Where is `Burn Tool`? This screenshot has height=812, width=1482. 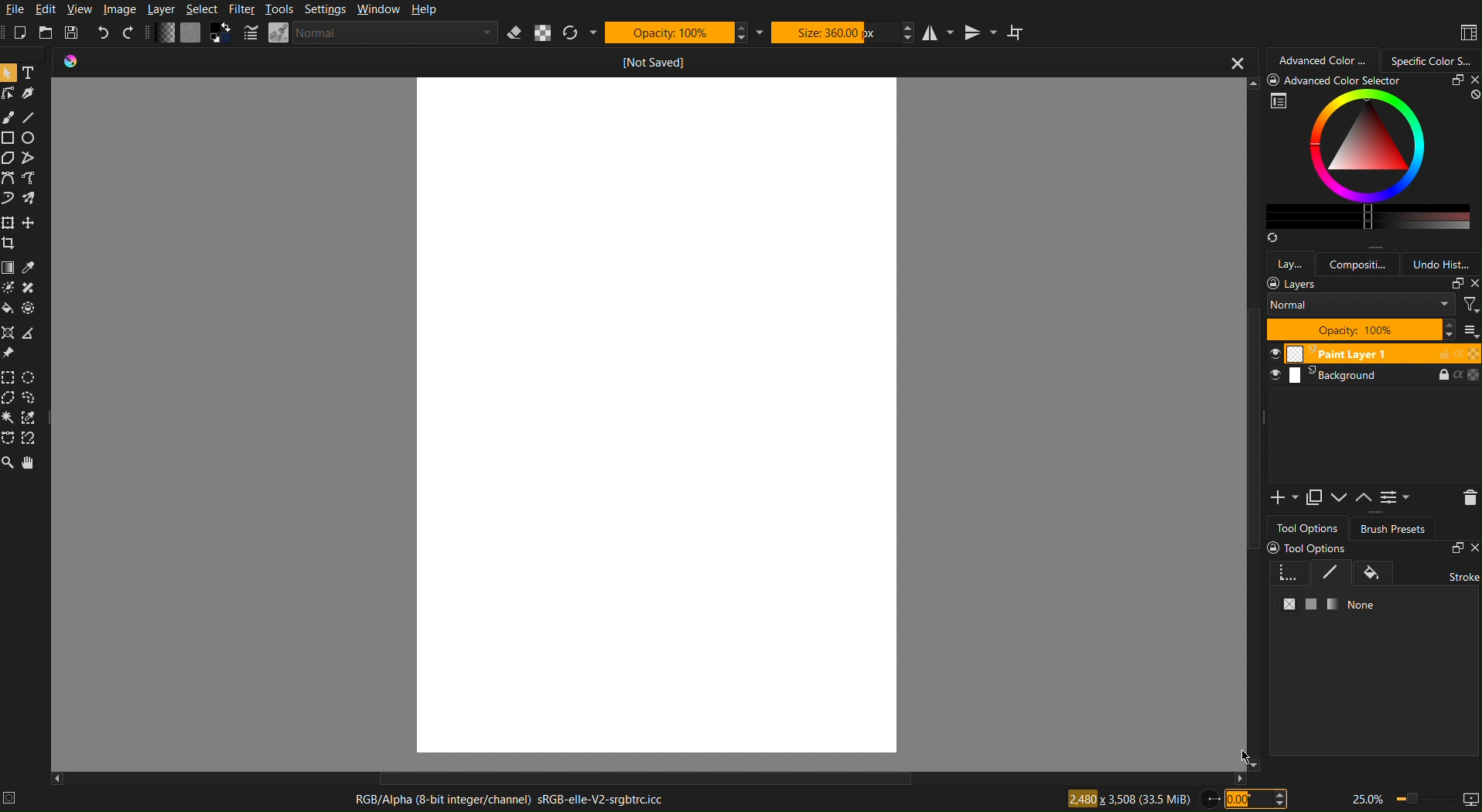 Burn Tool is located at coordinates (28, 288).